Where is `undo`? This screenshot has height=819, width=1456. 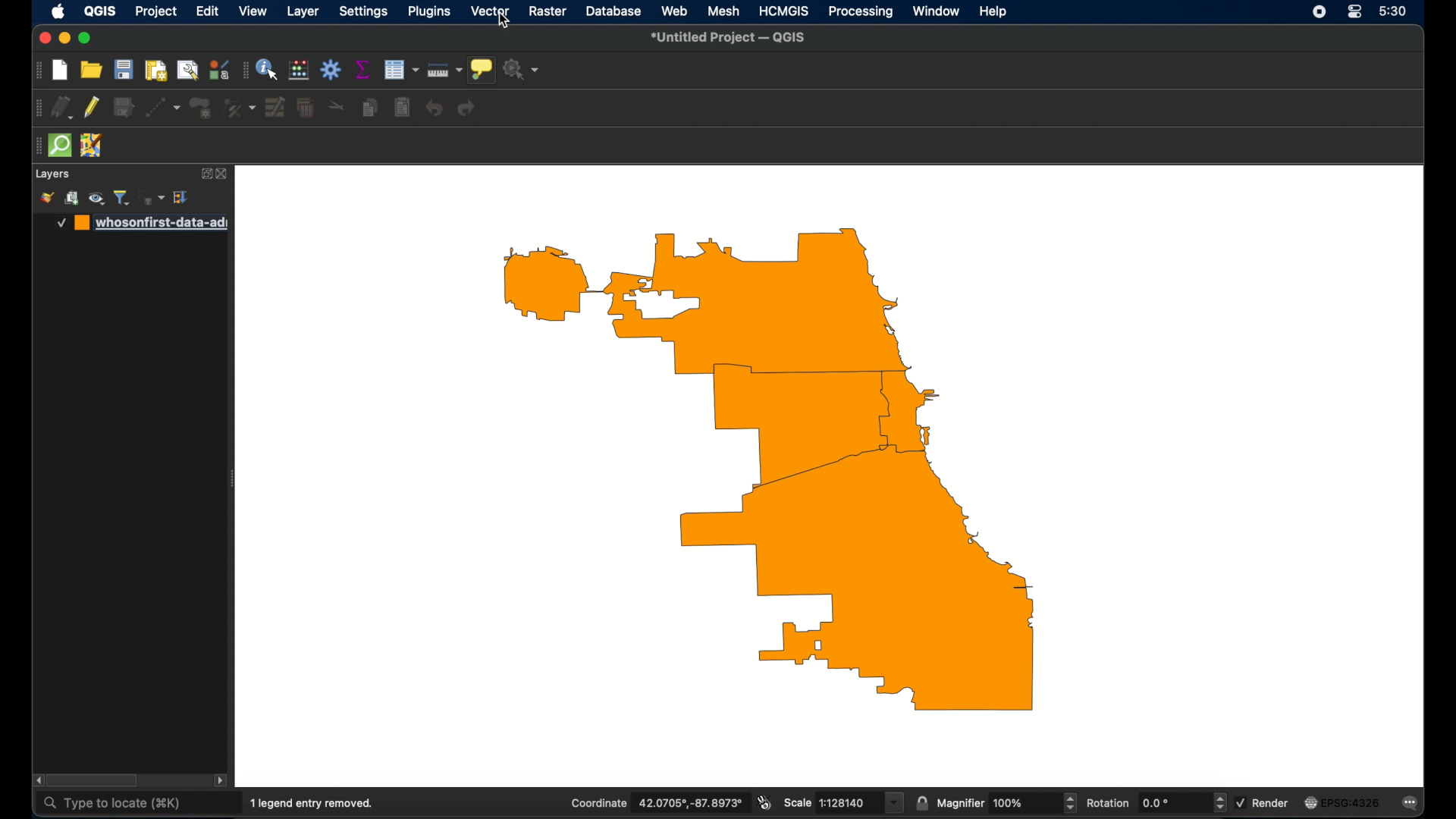
undo is located at coordinates (435, 108).